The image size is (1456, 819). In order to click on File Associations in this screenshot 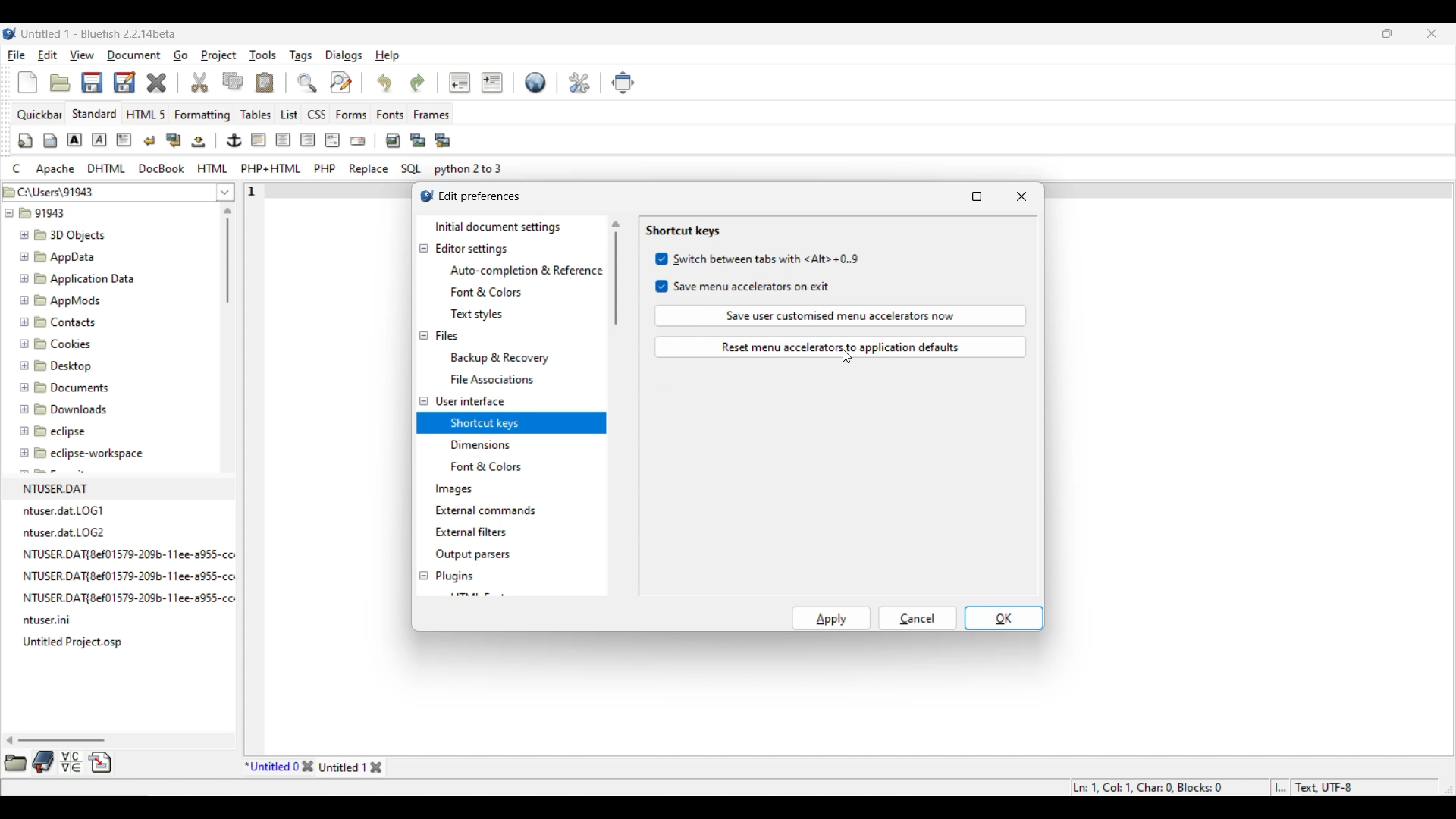, I will do `click(491, 379)`.